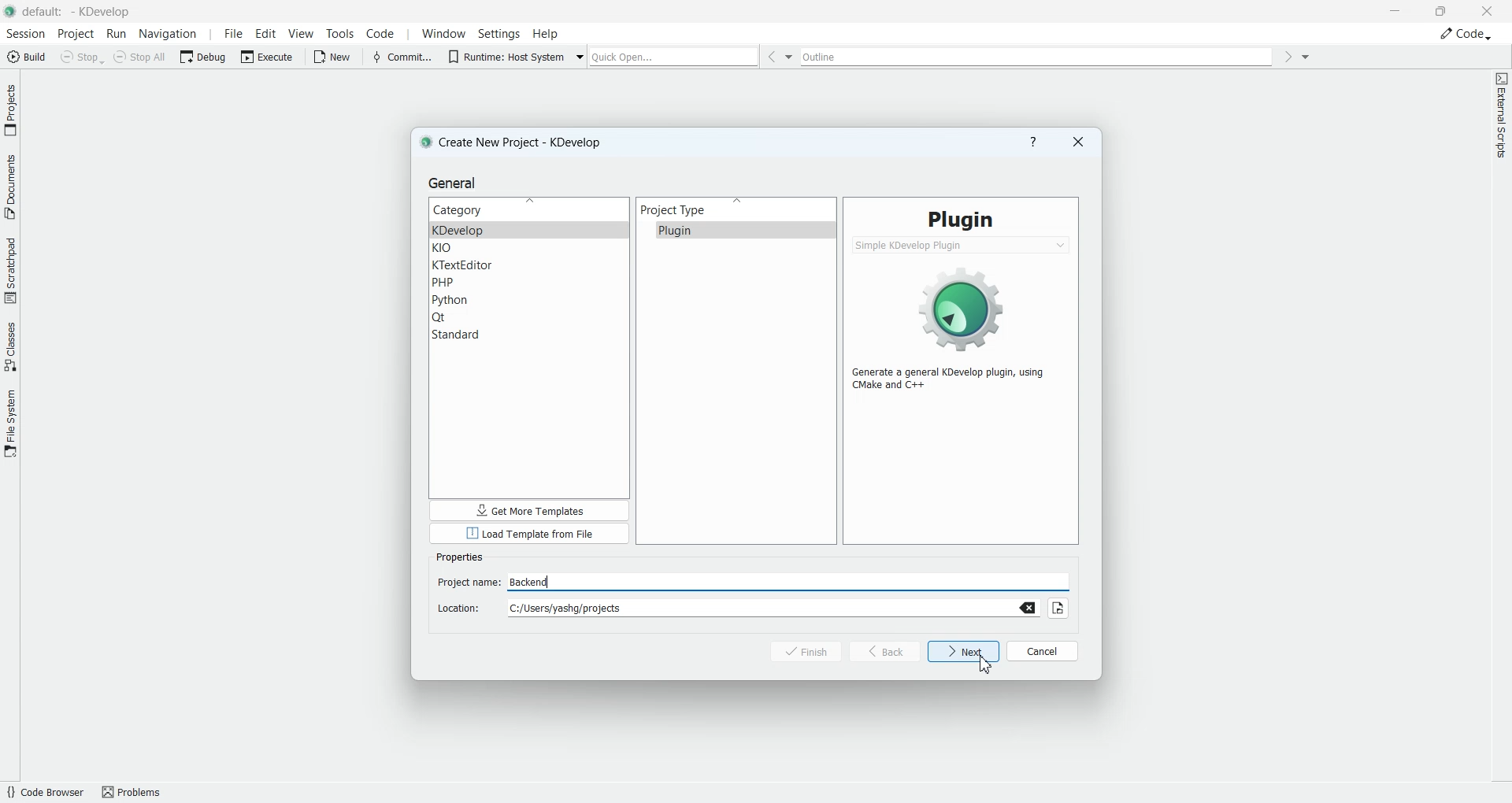  I want to click on Navigation, so click(170, 34).